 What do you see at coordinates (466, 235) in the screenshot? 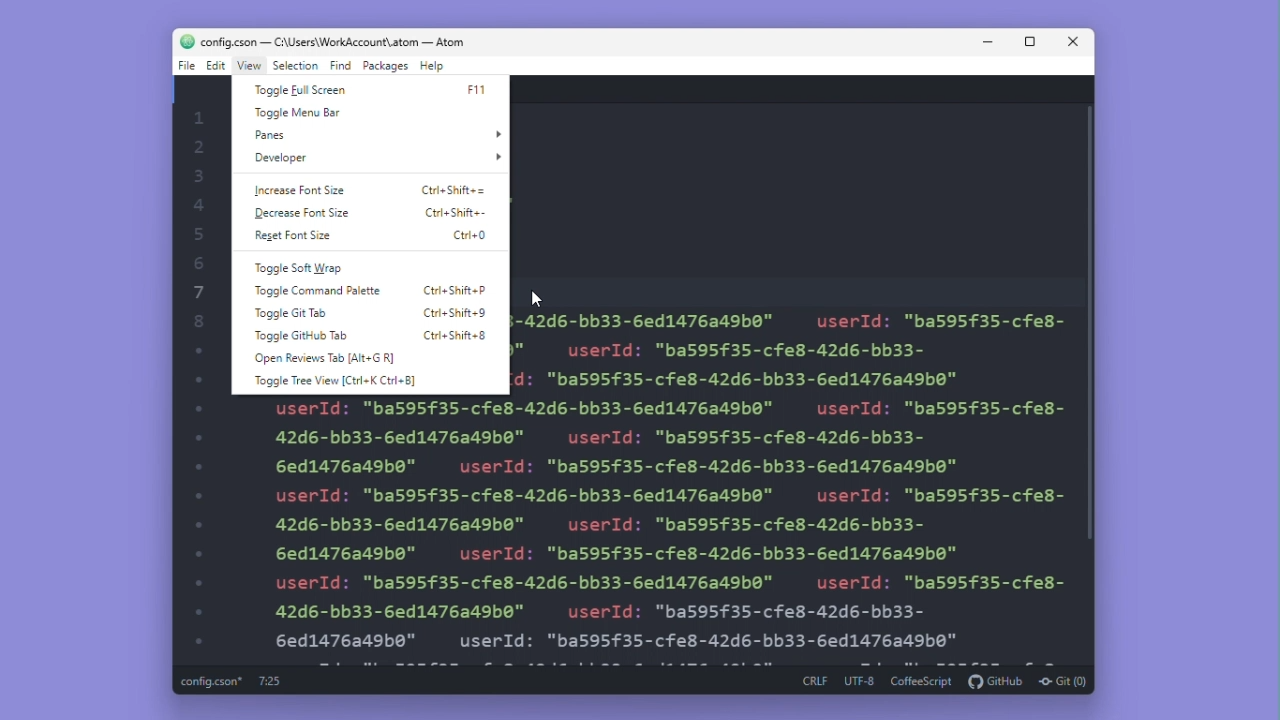
I see `ctrl+0` at bounding box center [466, 235].